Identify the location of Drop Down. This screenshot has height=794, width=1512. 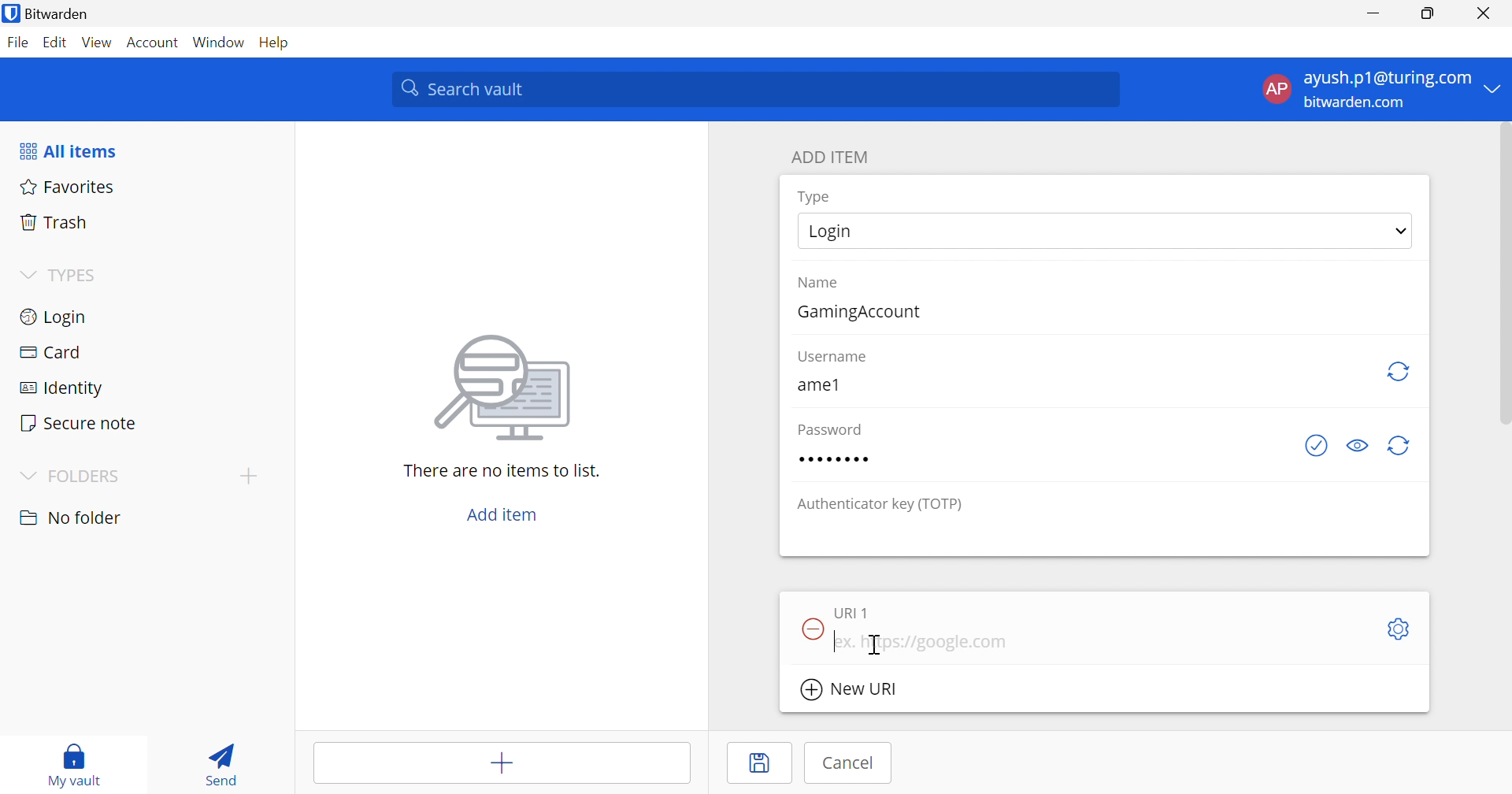
(1402, 231).